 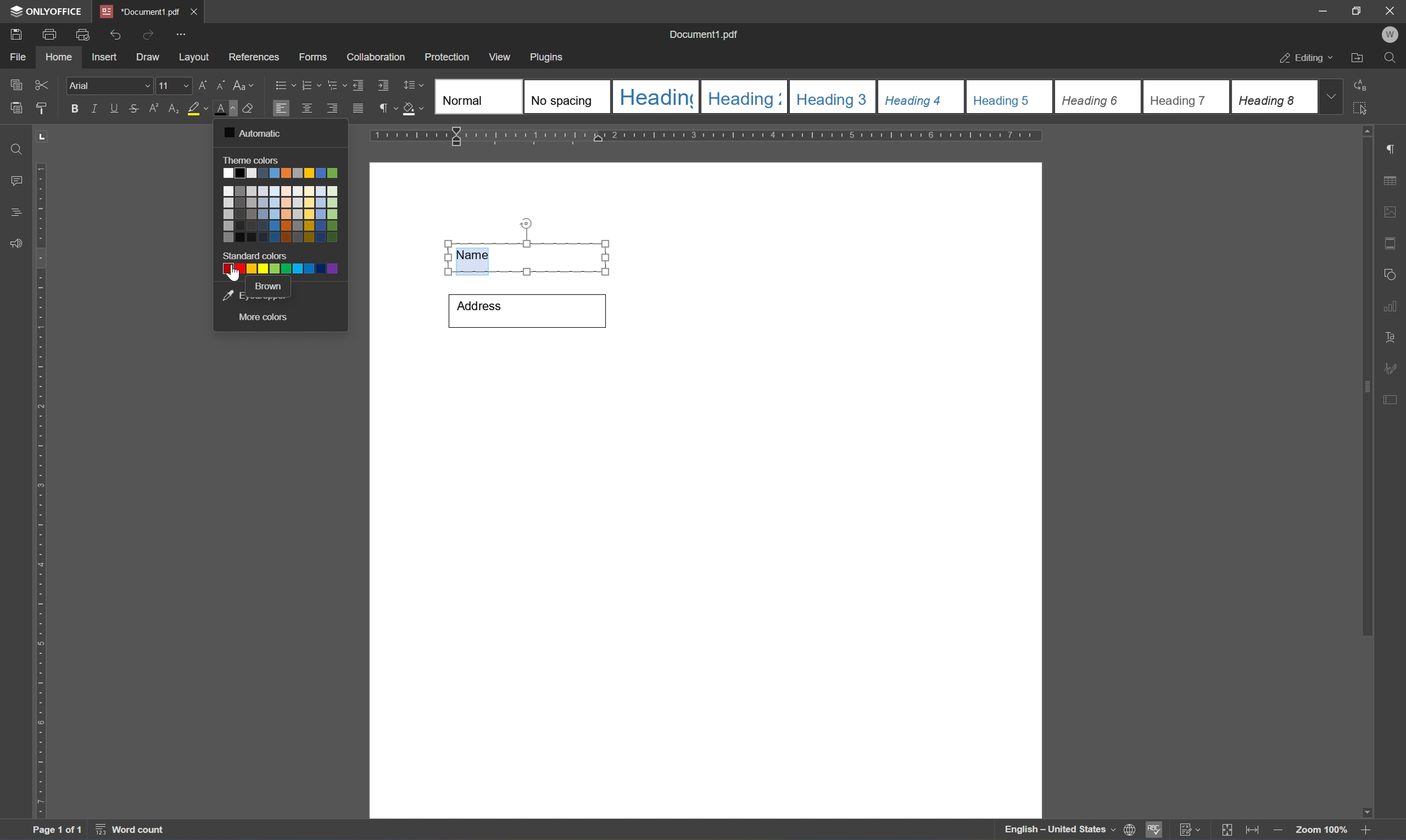 What do you see at coordinates (226, 109) in the screenshot?
I see `font color` at bounding box center [226, 109].